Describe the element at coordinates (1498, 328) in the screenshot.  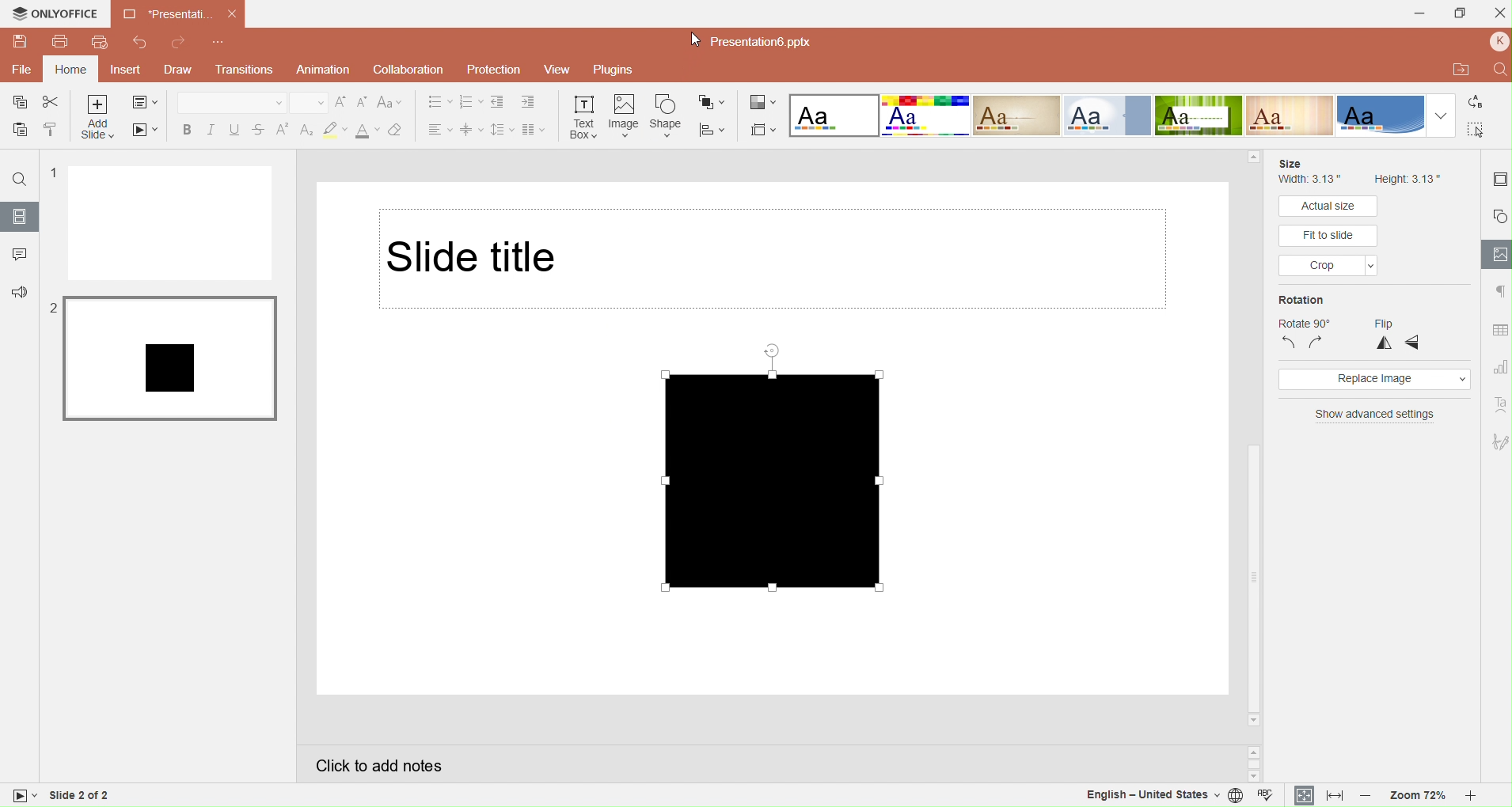
I see `Table setting` at that location.